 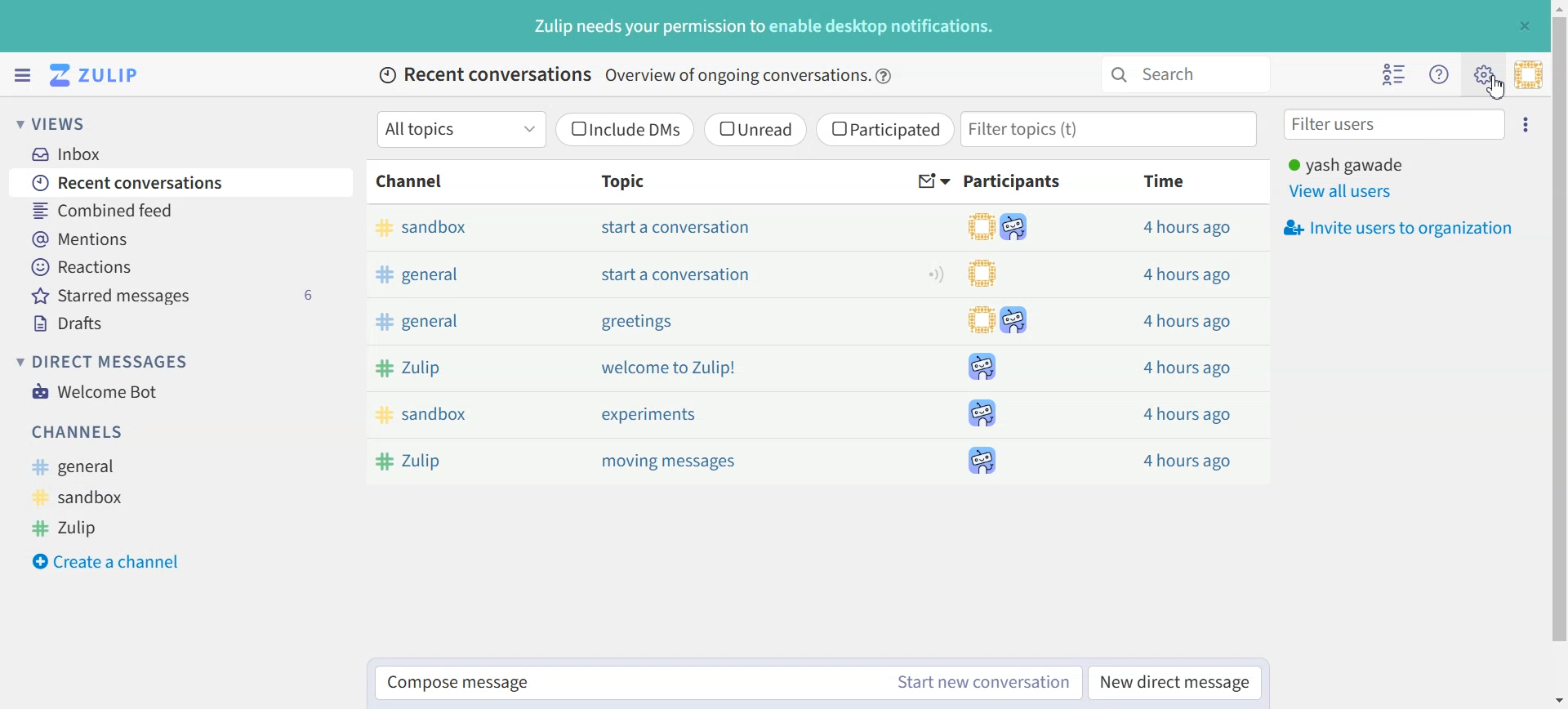 I want to click on 4 hours ago, so click(x=1185, y=366).